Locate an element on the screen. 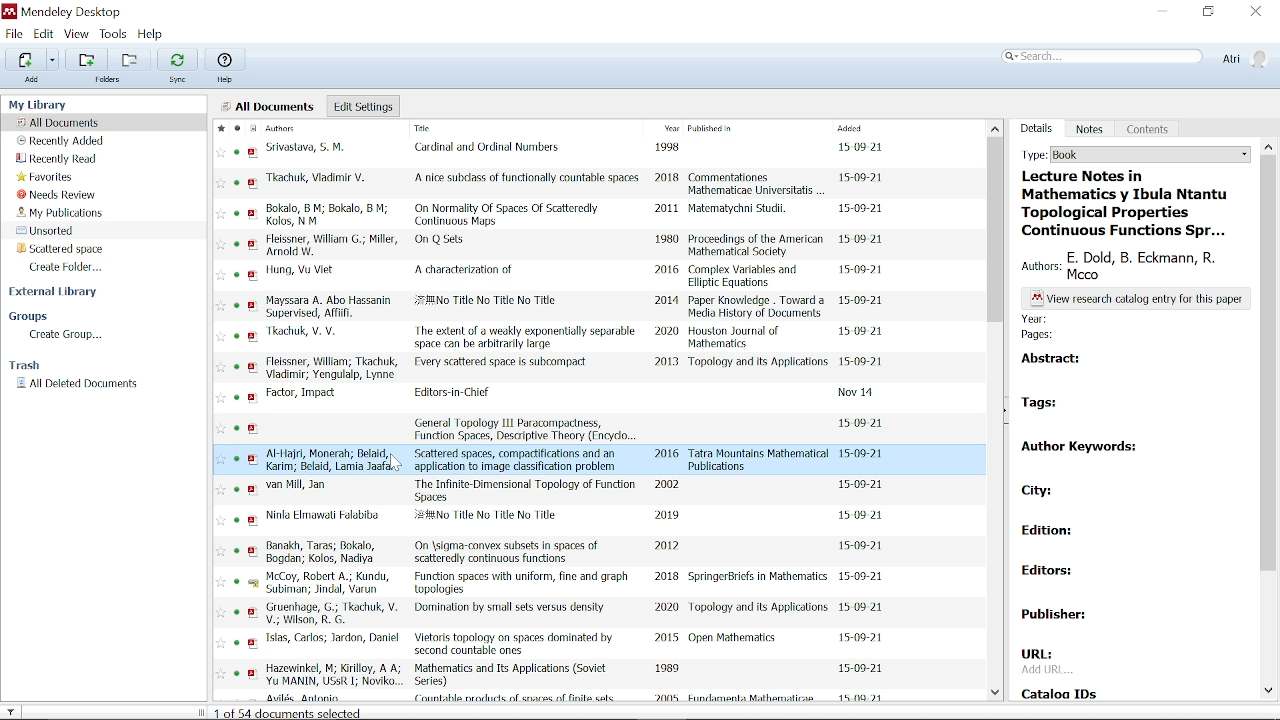  sync is located at coordinates (179, 81).